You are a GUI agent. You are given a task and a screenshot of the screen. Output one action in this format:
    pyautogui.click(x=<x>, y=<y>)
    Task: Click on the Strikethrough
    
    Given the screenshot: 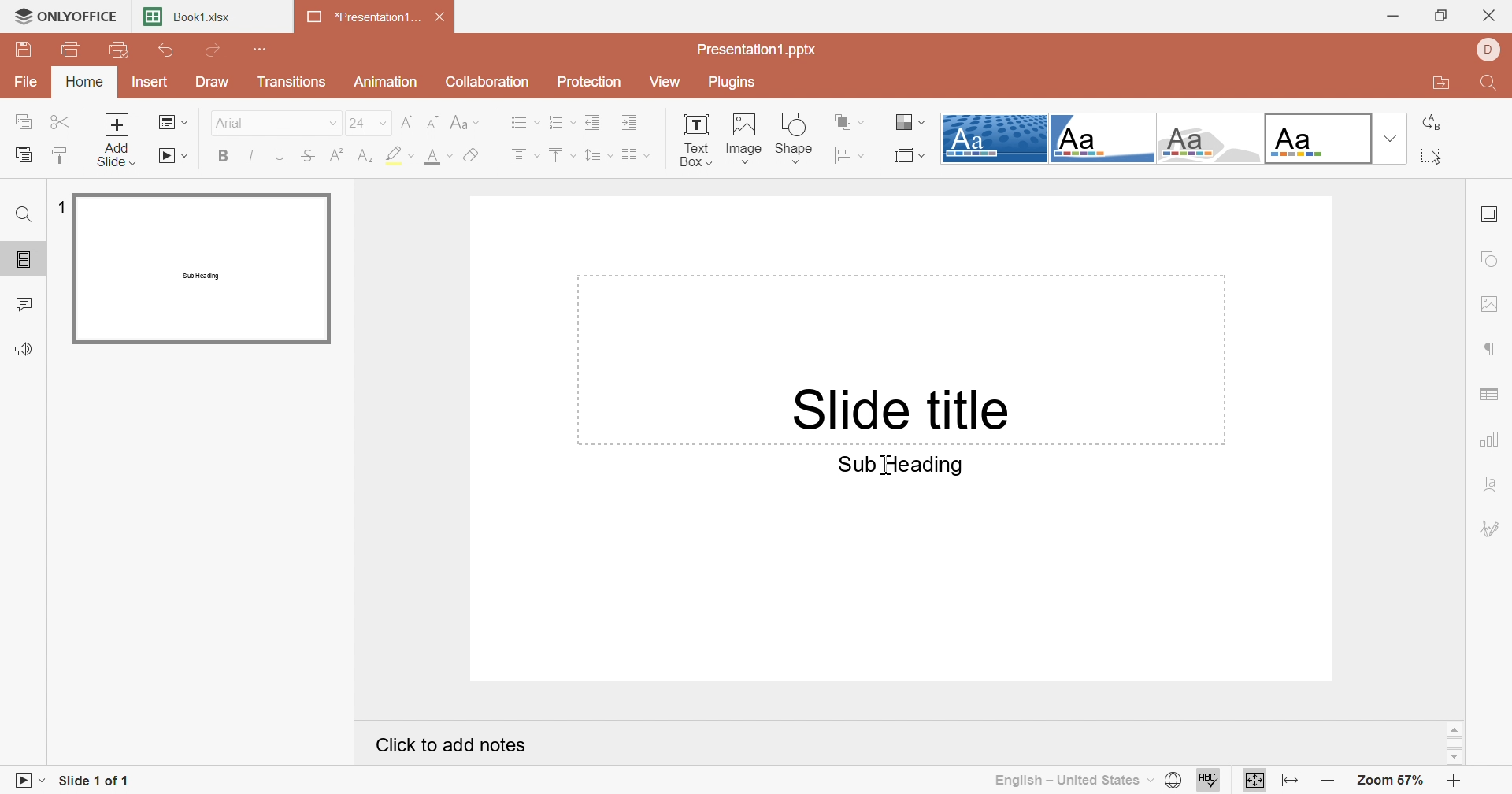 What is the action you would take?
    pyautogui.click(x=309, y=155)
    